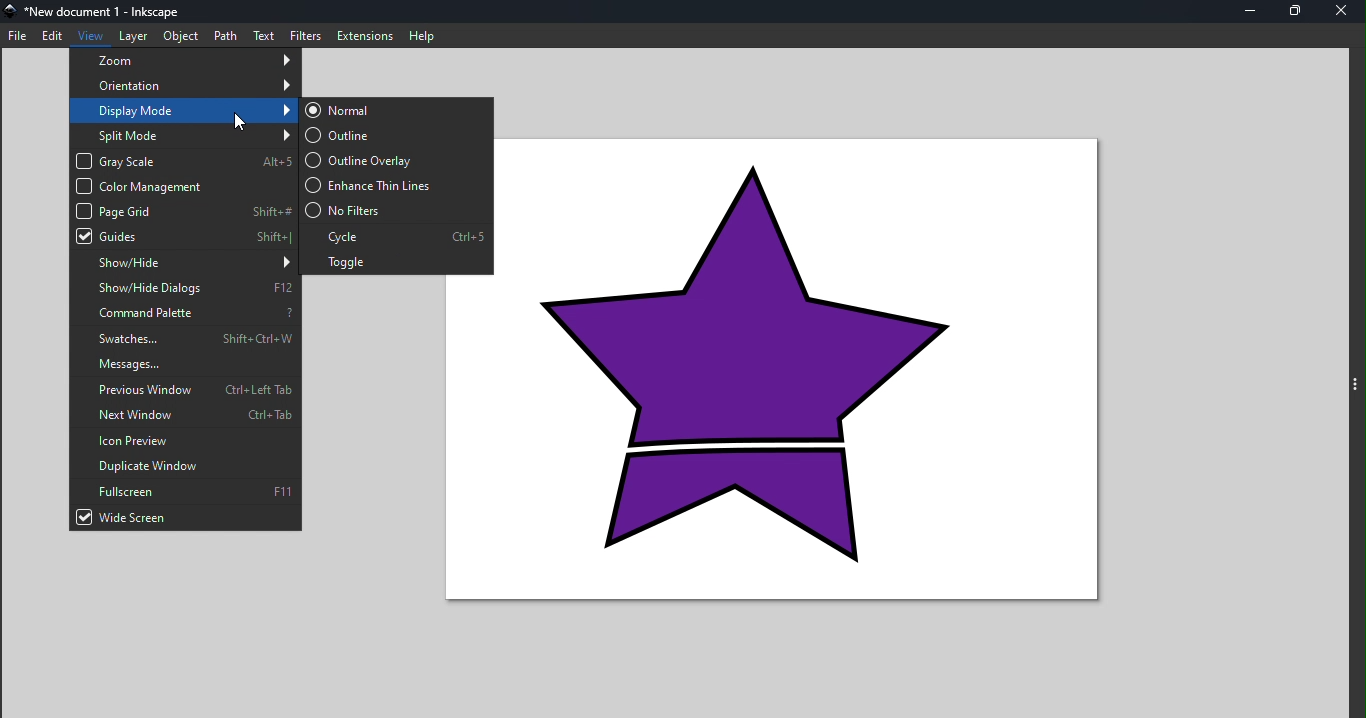 This screenshot has height=718, width=1366. What do you see at coordinates (307, 34) in the screenshot?
I see `Filters` at bounding box center [307, 34].